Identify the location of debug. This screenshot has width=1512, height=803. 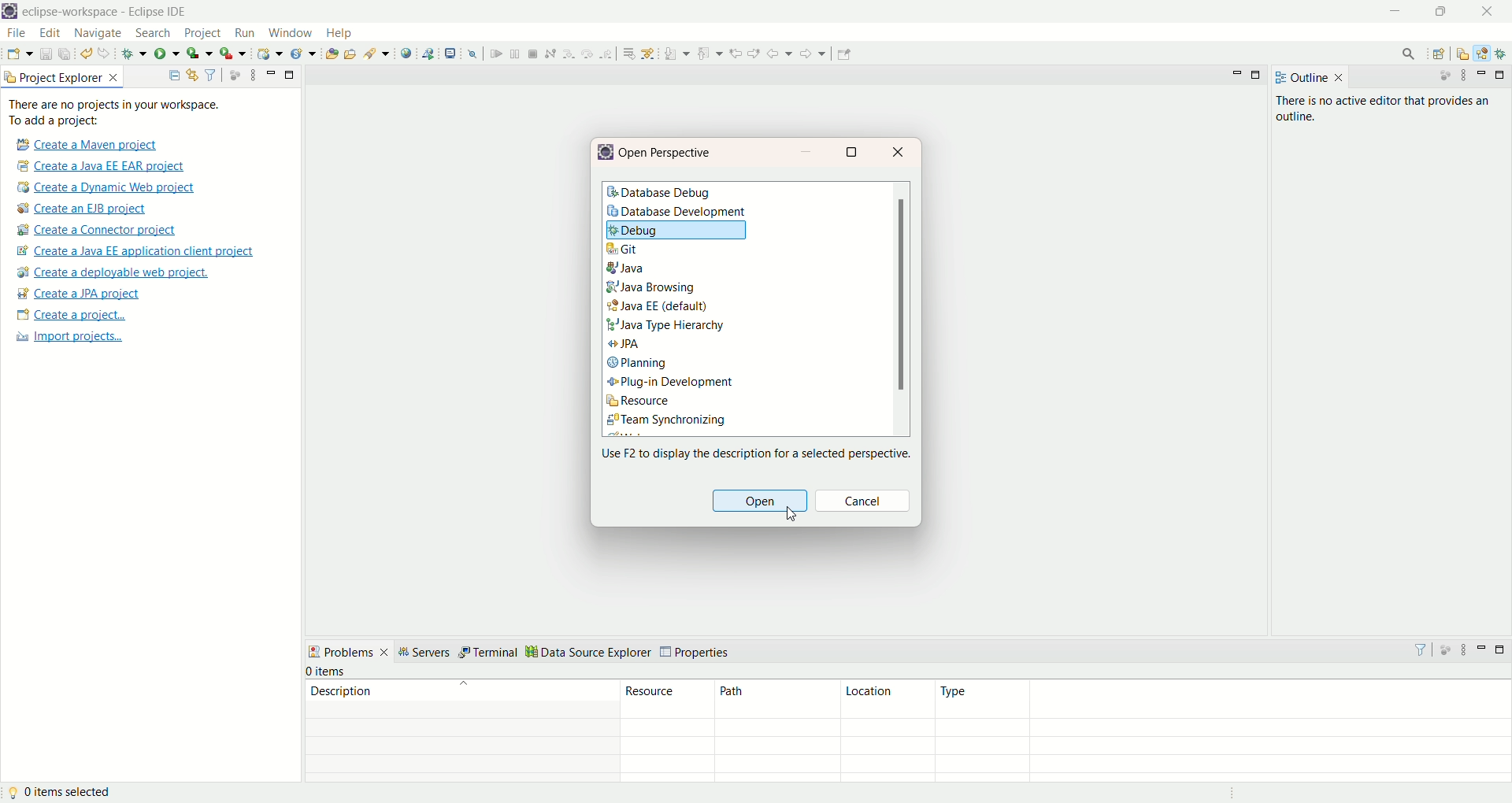
(1503, 54).